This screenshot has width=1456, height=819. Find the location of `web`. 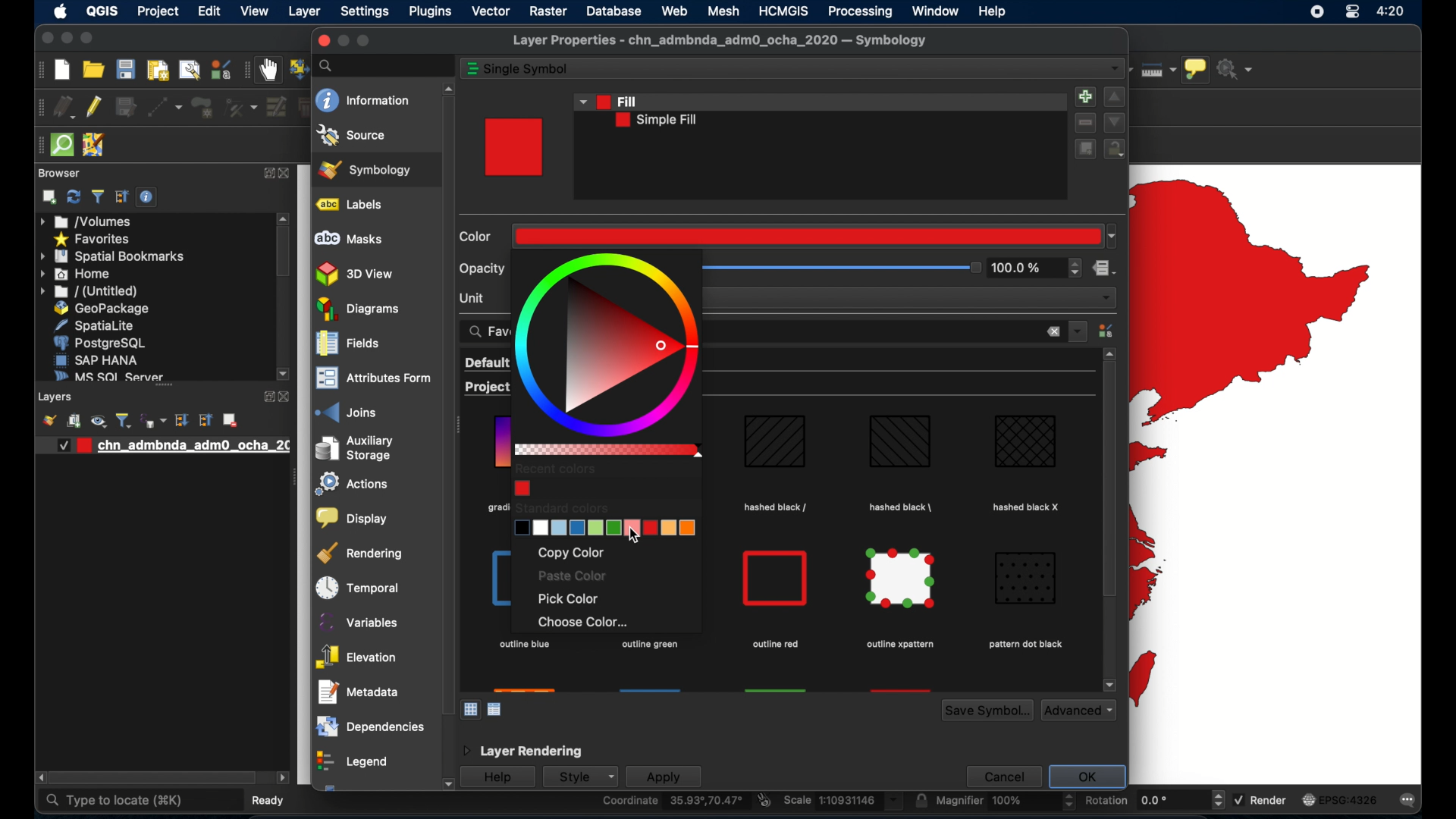

web is located at coordinates (674, 11).